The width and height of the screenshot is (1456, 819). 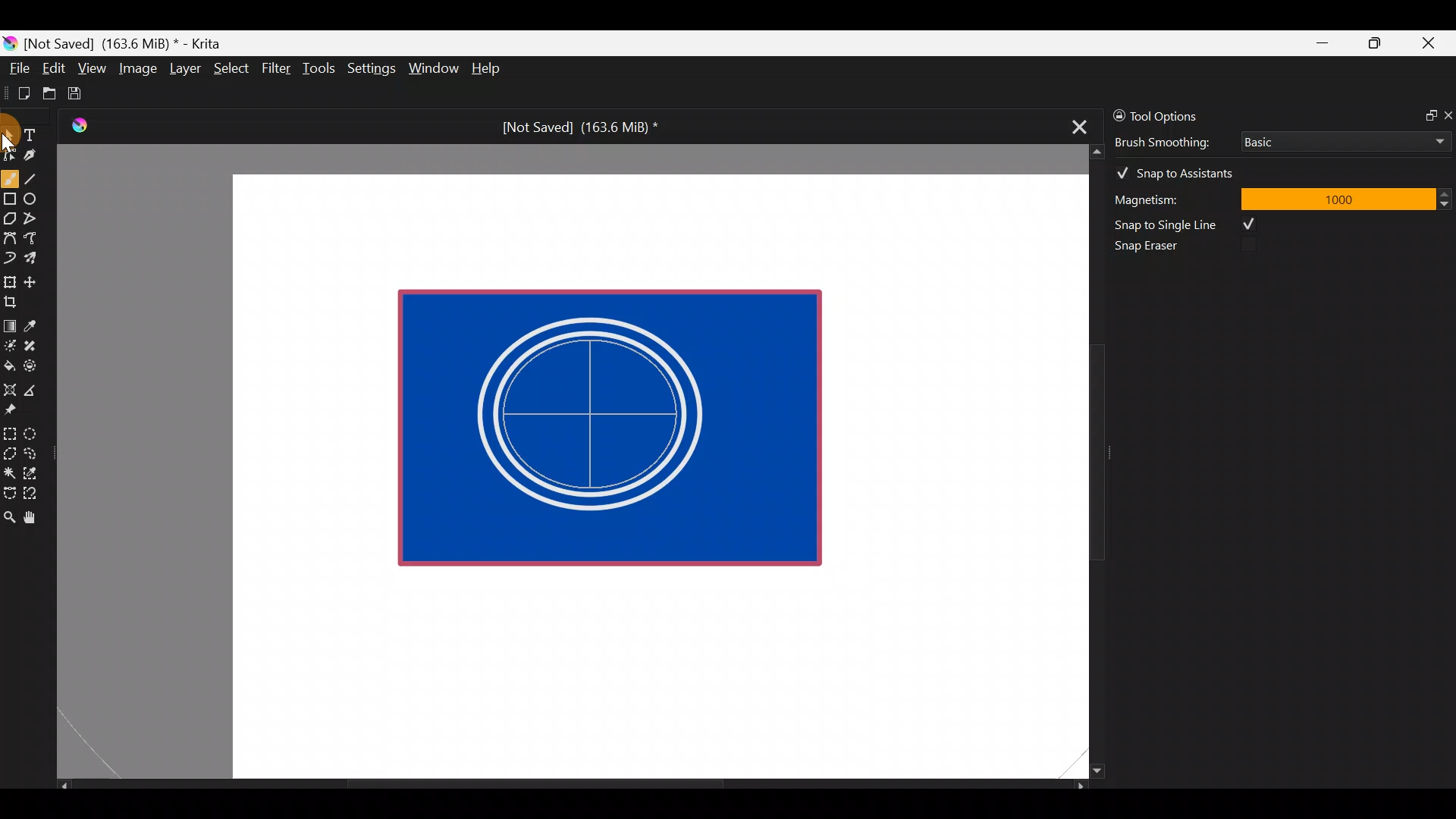 I want to click on Rectangular selection tool, so click(x=13, y=431).